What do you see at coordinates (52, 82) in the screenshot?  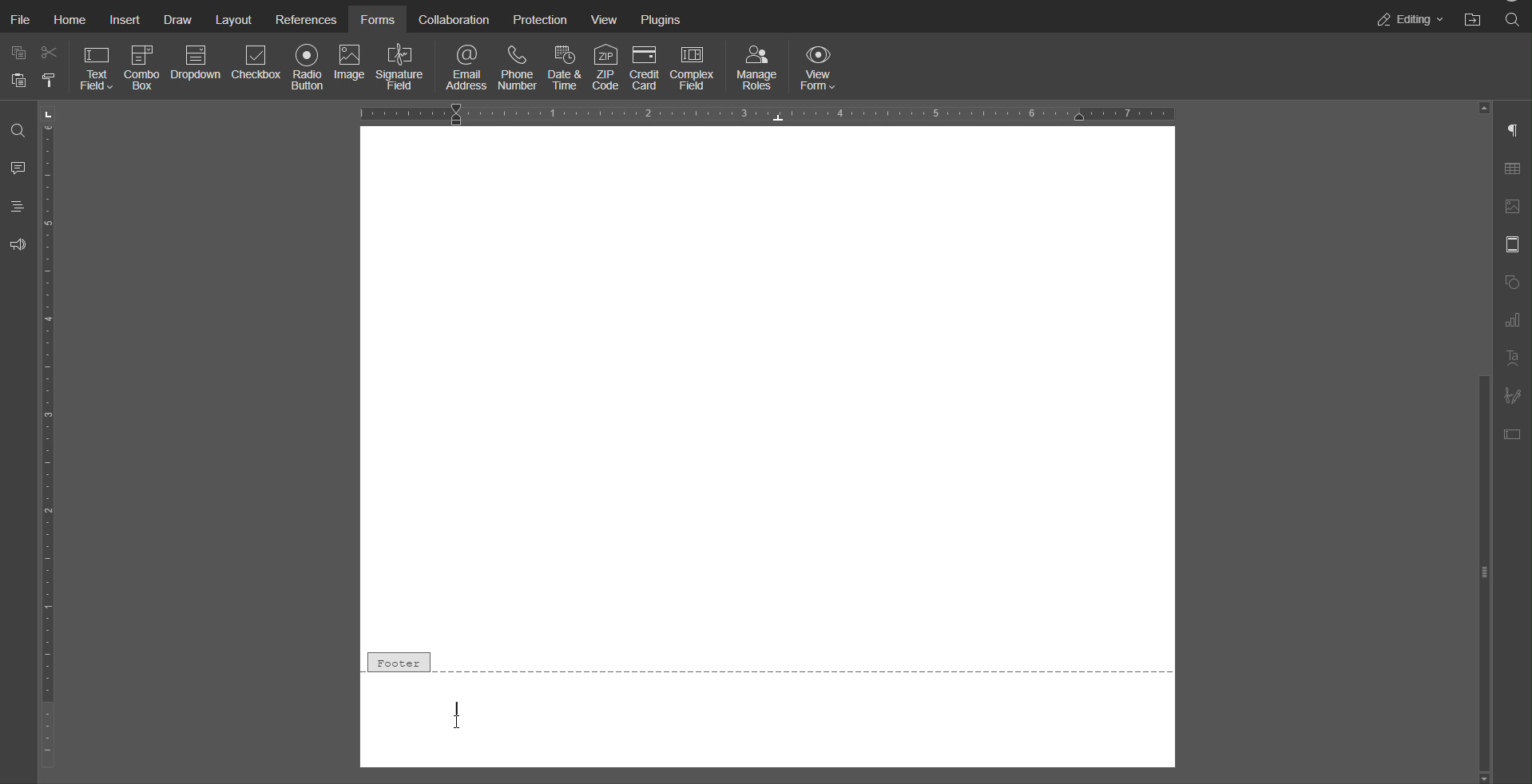 I see `copy style` at bounding box center [52, 82].